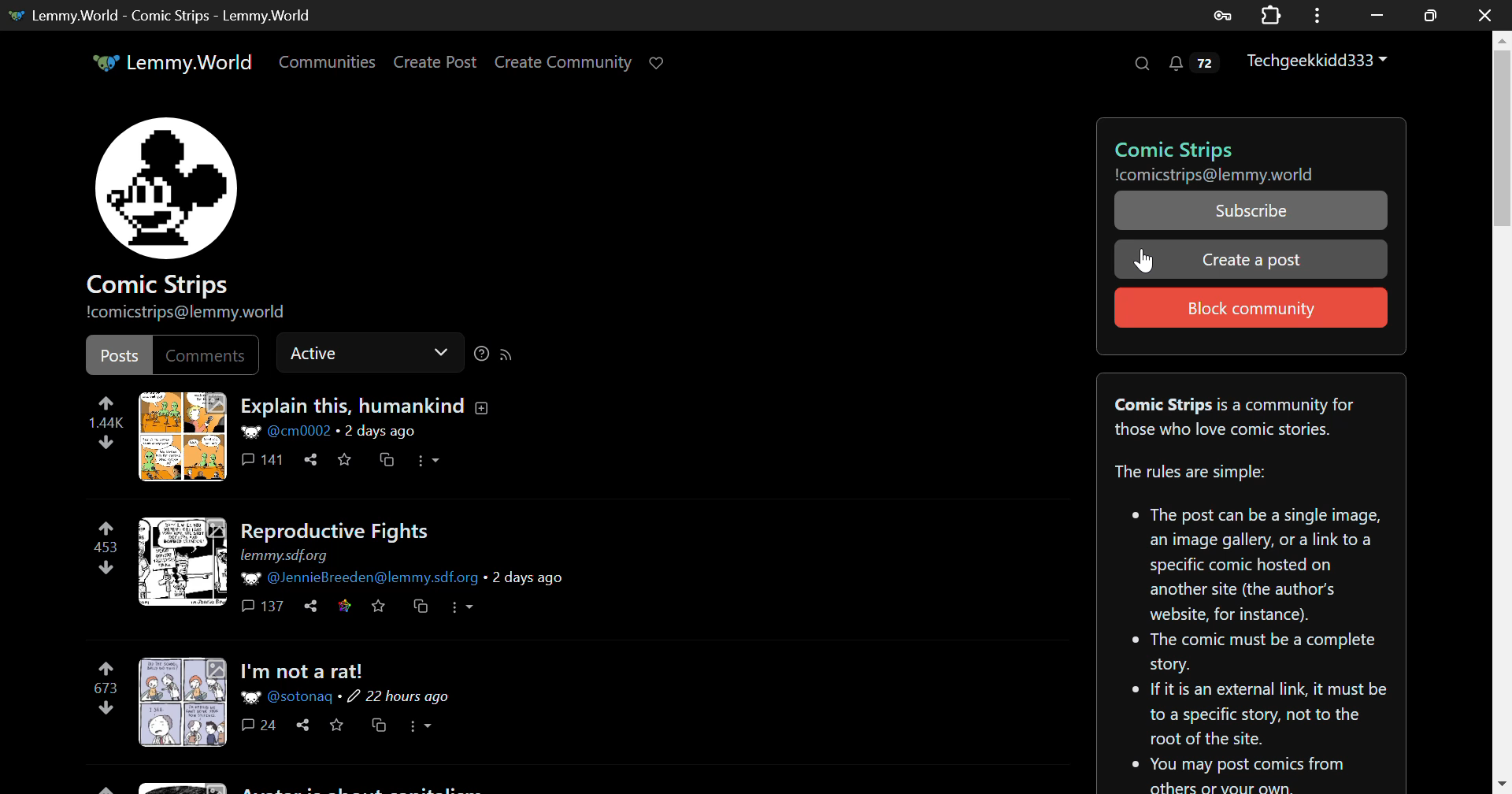 This screenshot has height=794, width=1512. Describe the element at coordinates (1239, 149) in the screenshot. I see `Comic Strips` at that location.